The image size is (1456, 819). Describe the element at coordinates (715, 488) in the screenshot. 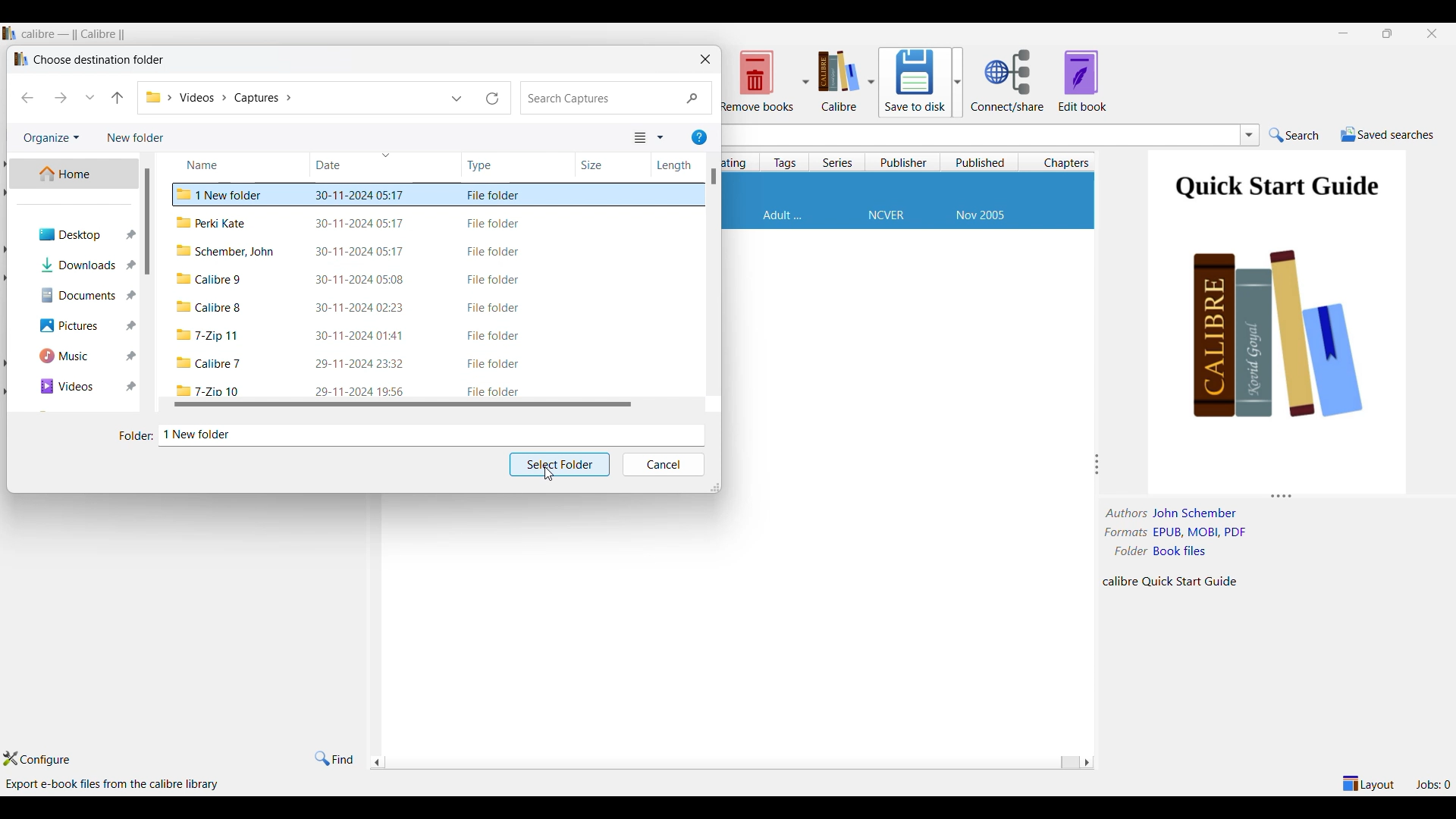

I see `Change window dimension` at that location.